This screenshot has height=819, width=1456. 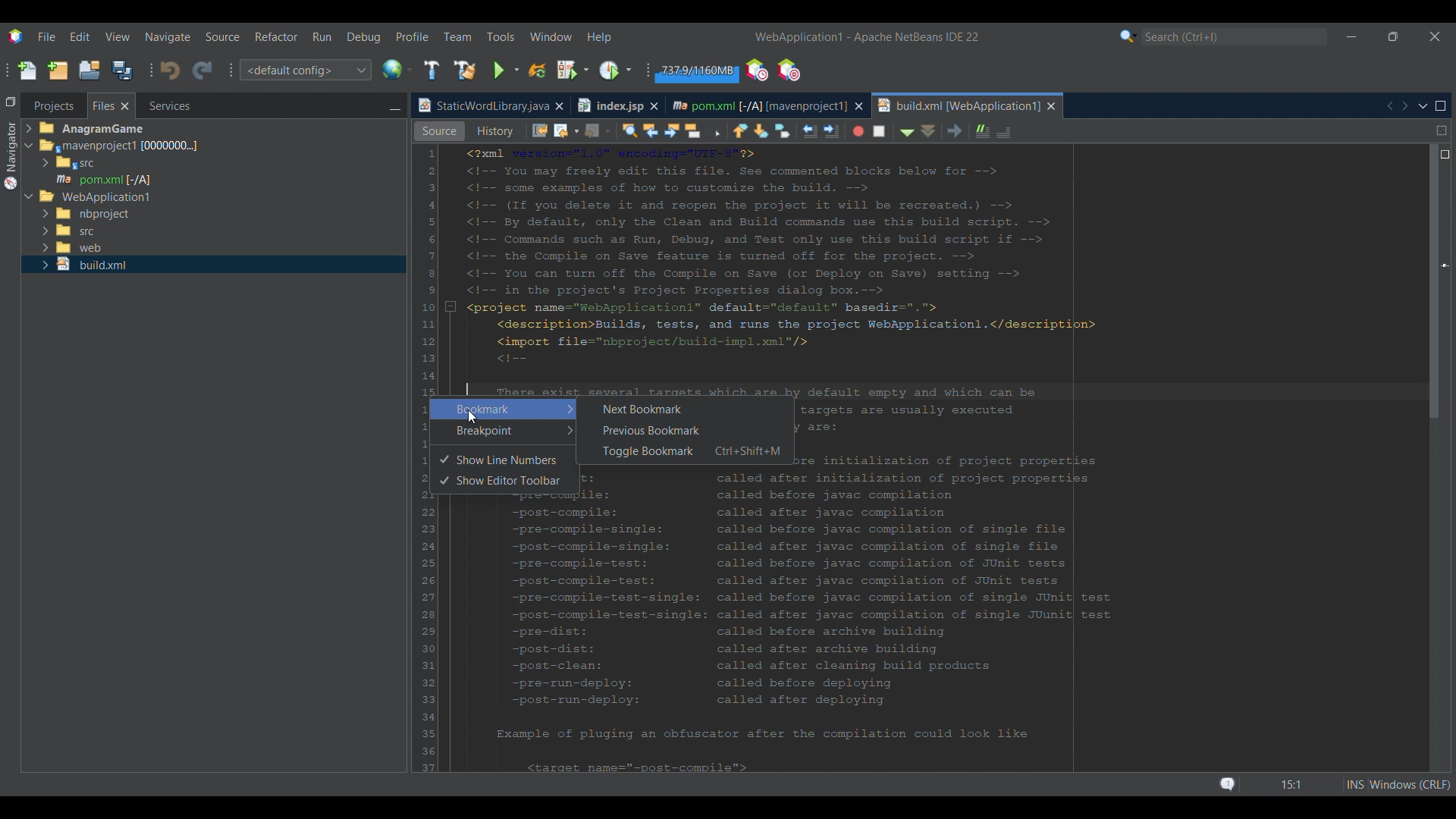 I want to click on Markers, so click(x=1444, y=666).